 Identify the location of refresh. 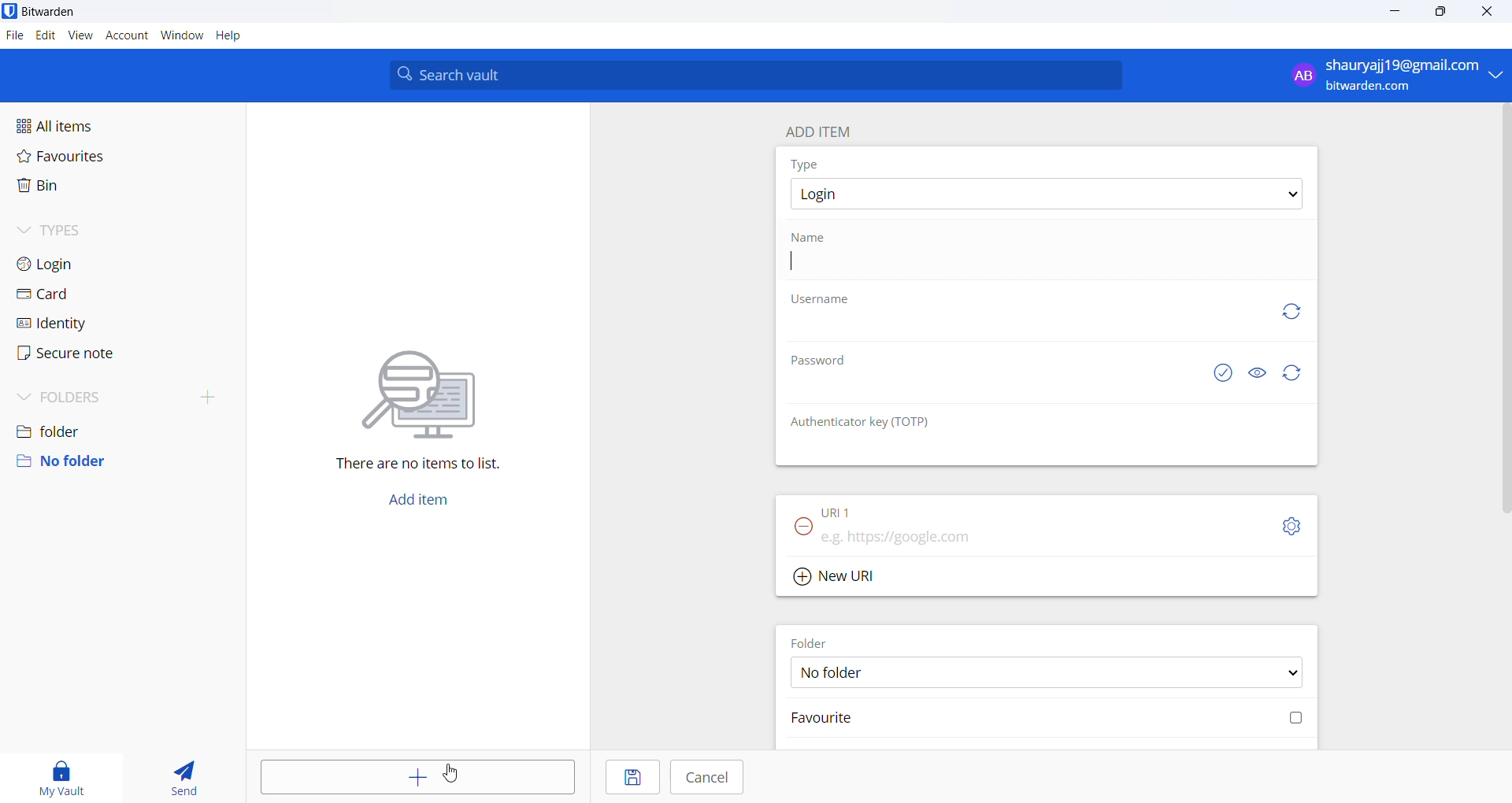
(1292, 373).